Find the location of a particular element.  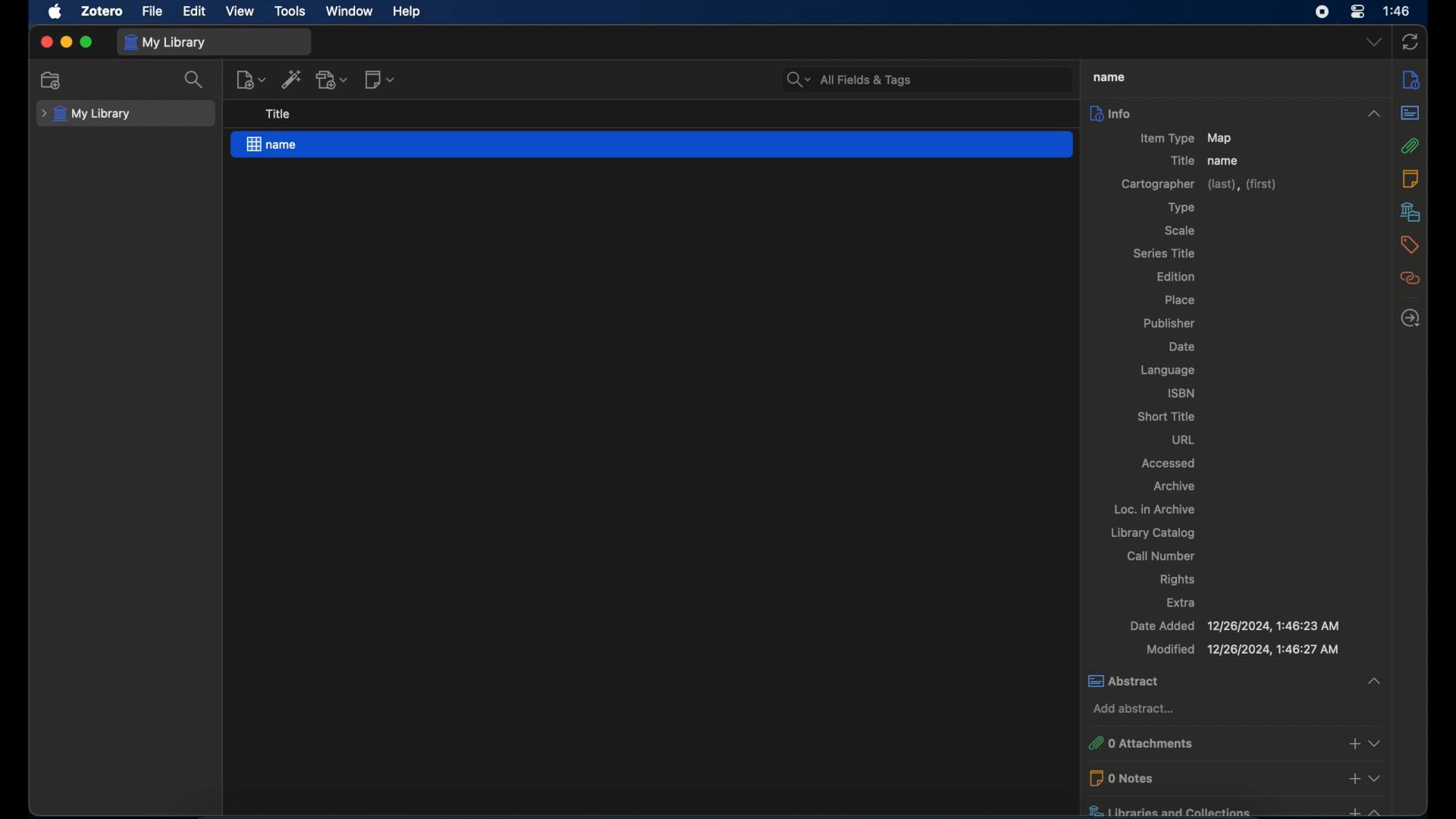

isbn is located at coordinates (1181, 393).